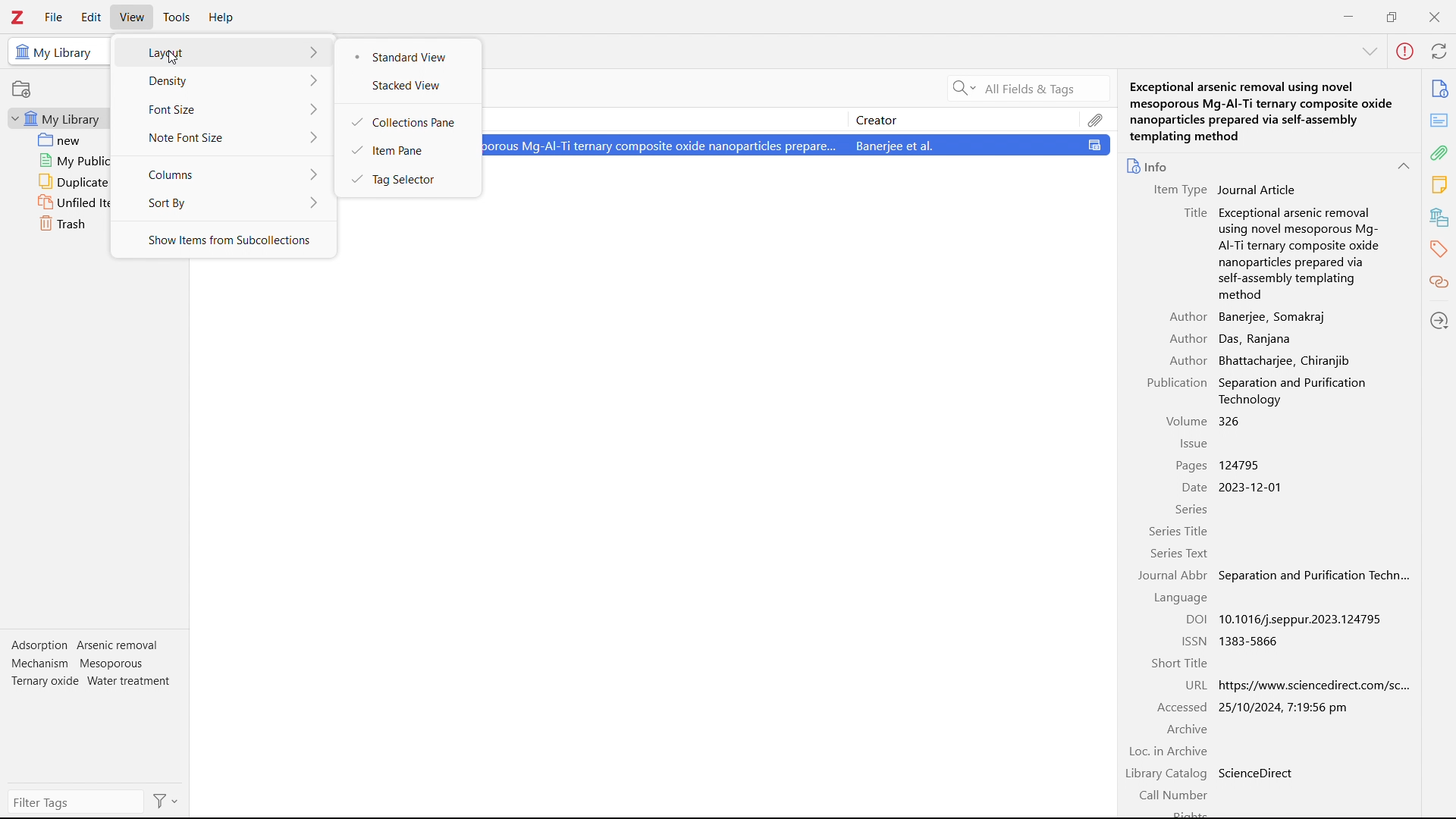 Image resolution: width=1456 pixels, height=819 pixels. Describe the element at coordinates (223, 202) in the screenshot. I see `sort by` at that location.